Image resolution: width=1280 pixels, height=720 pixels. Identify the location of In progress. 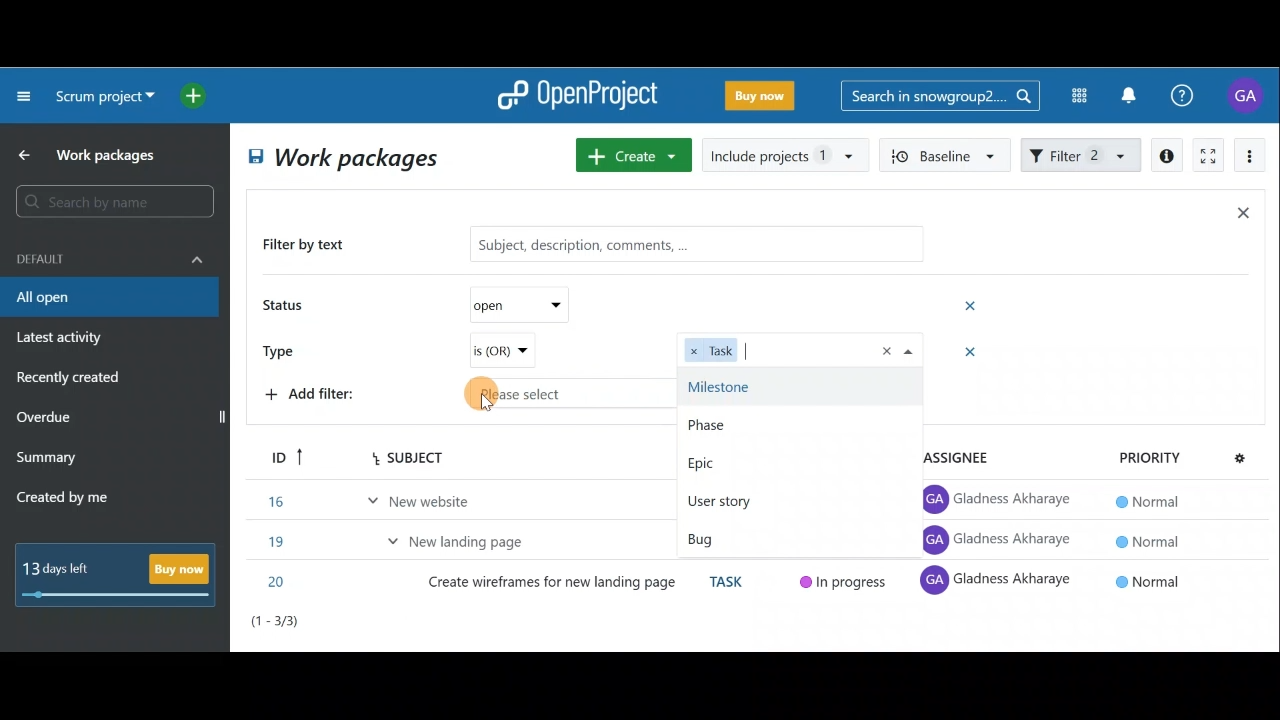
(847, 582).